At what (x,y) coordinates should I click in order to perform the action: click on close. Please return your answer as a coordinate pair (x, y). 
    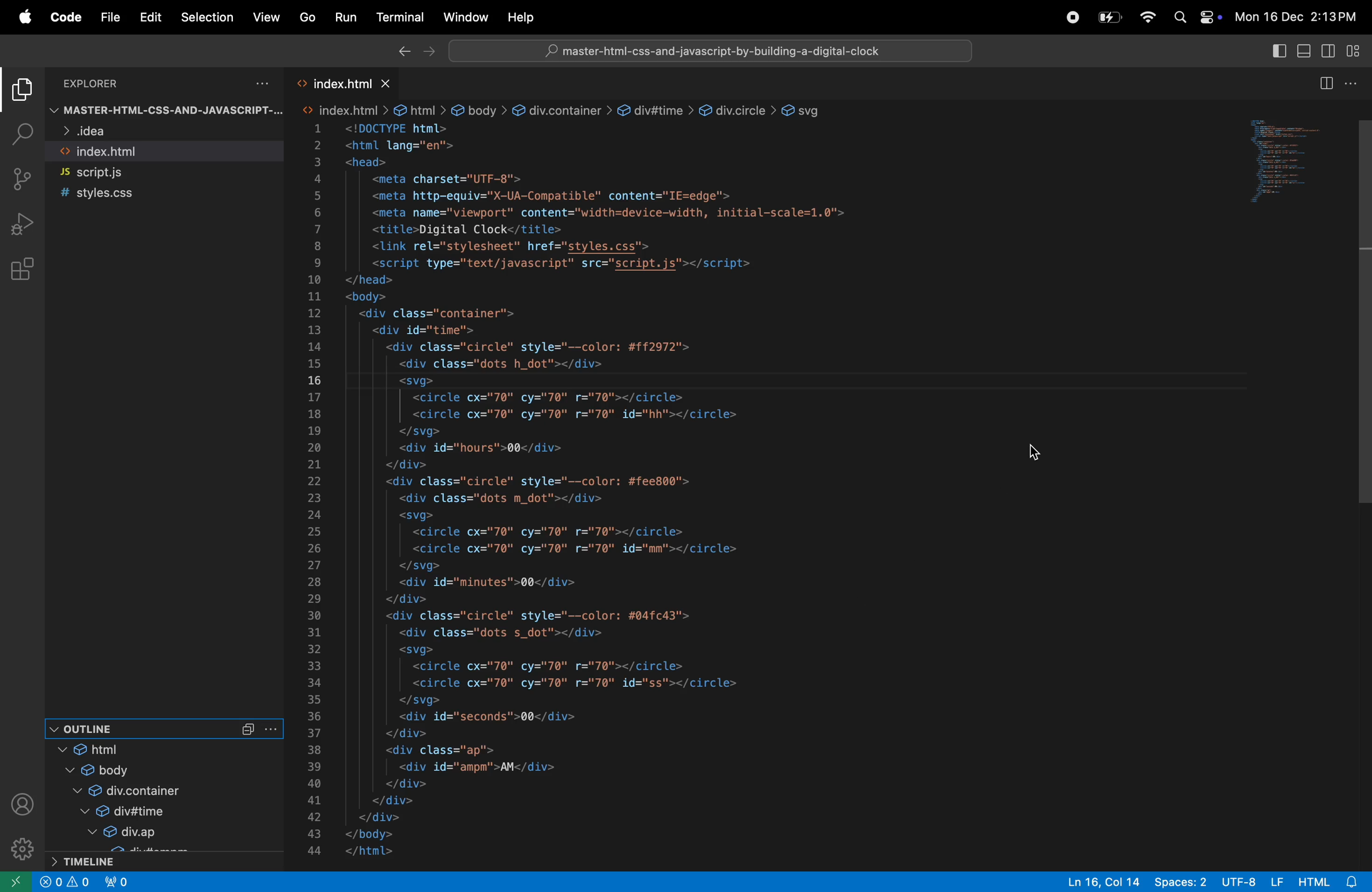
    Looking at the image, I should click on (50, 881).